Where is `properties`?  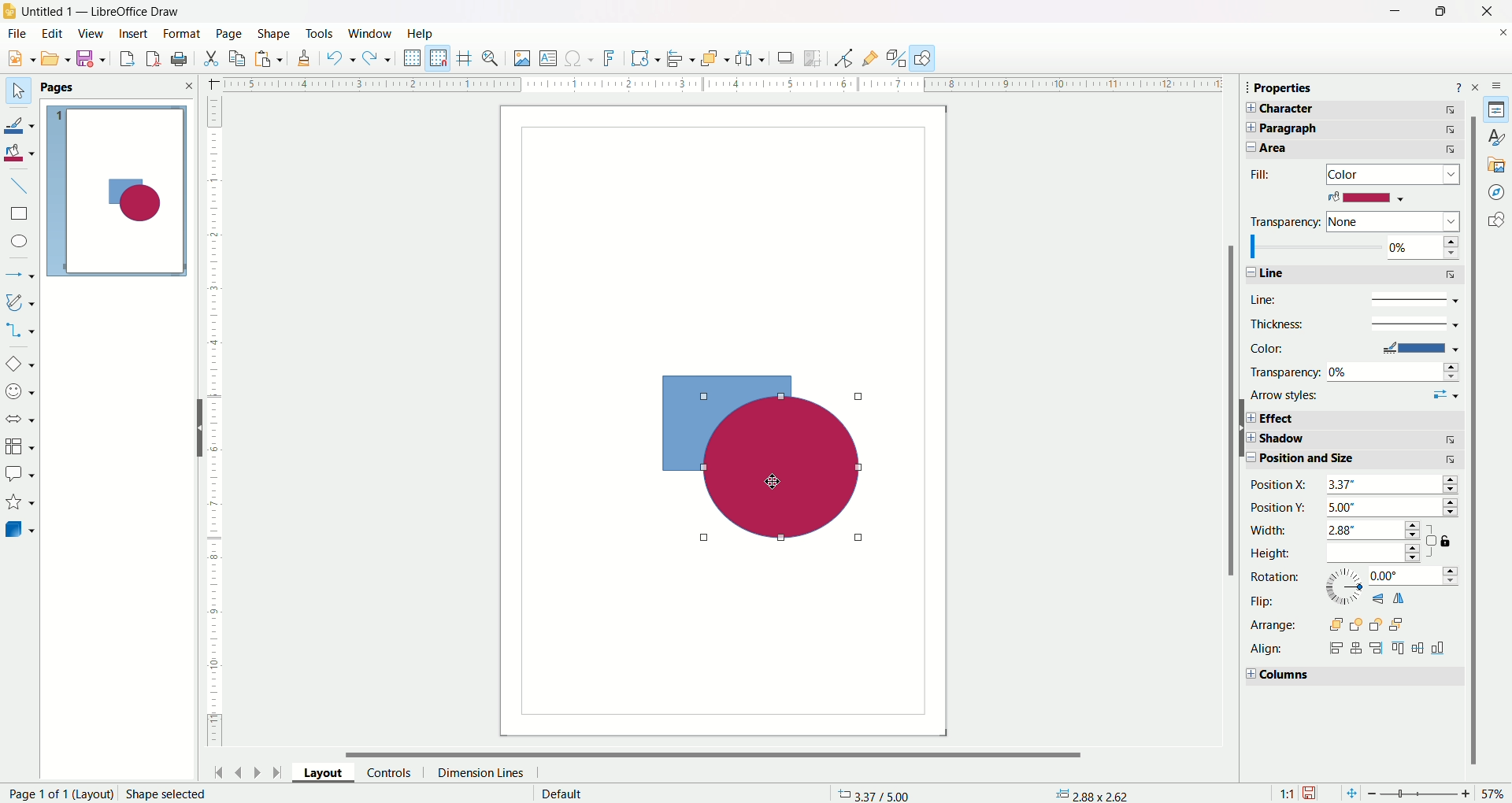
properties is located at coordinates (1499, 109).